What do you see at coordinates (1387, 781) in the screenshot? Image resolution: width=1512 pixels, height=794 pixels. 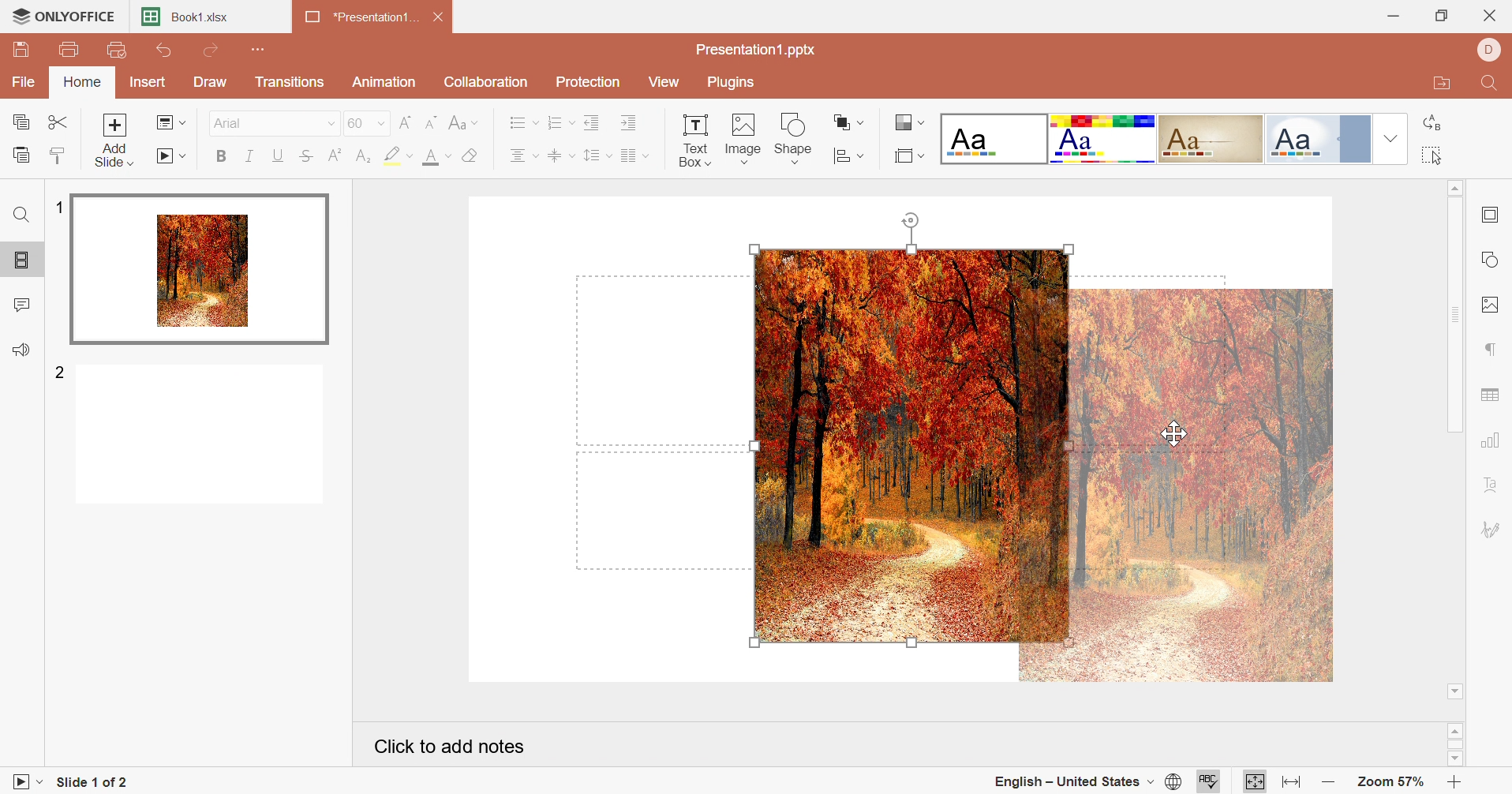 I see `Zoom 57%` at bounding box center [1387, 781].